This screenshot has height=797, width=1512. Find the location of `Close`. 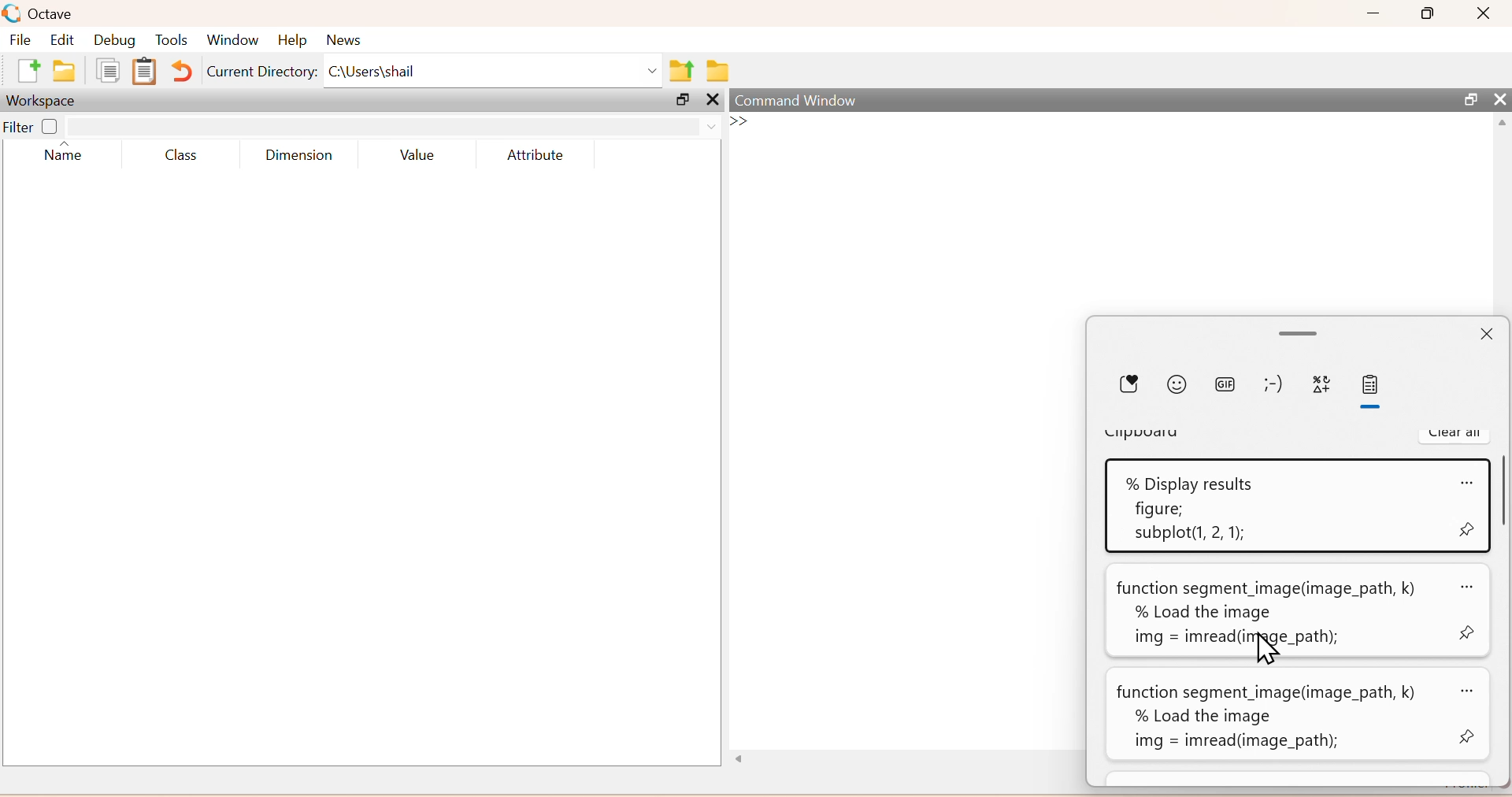

Close is located at coordinates (1484, 332).